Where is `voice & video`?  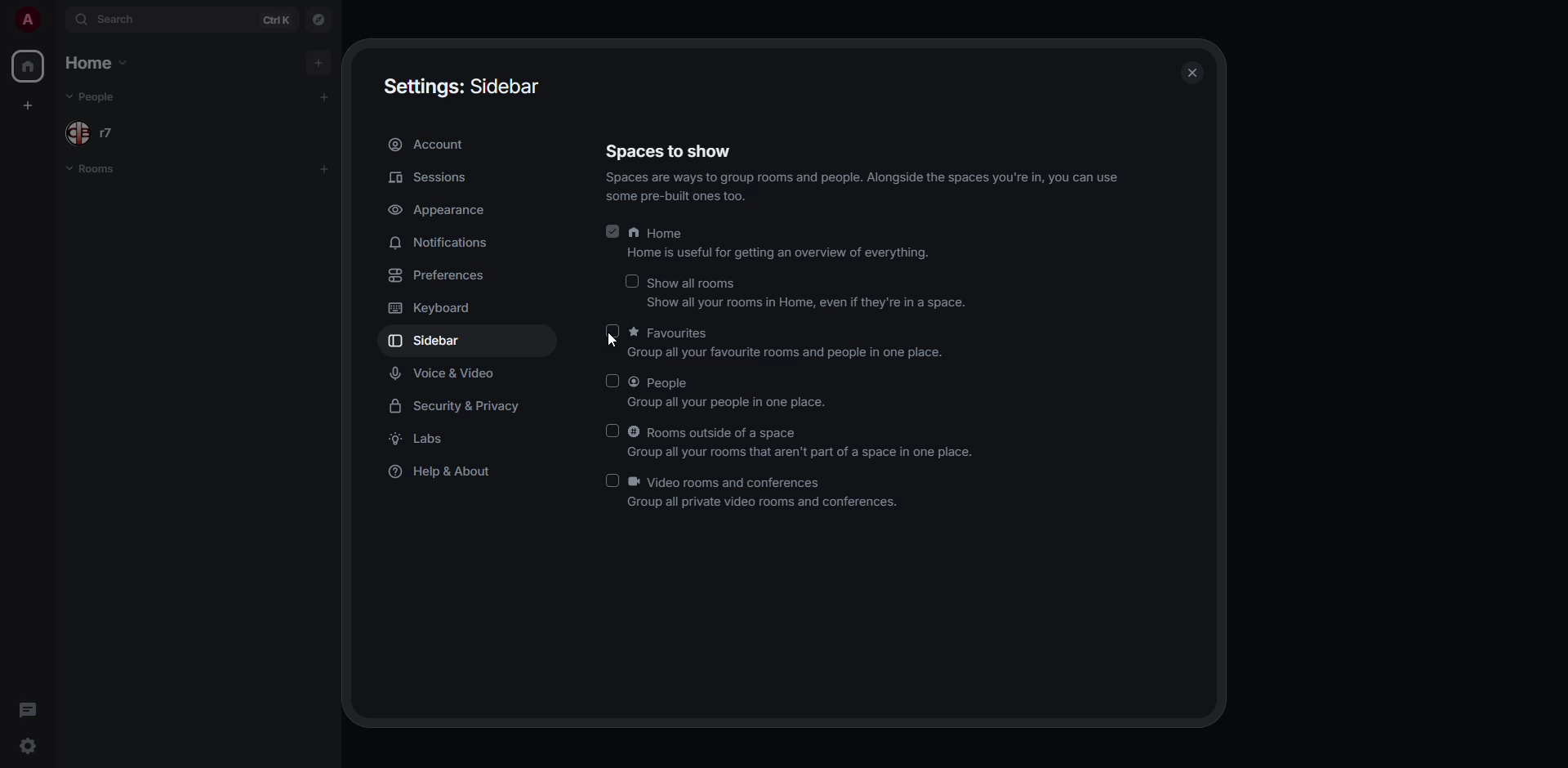 voice & video is located at coordinates (446, 373).